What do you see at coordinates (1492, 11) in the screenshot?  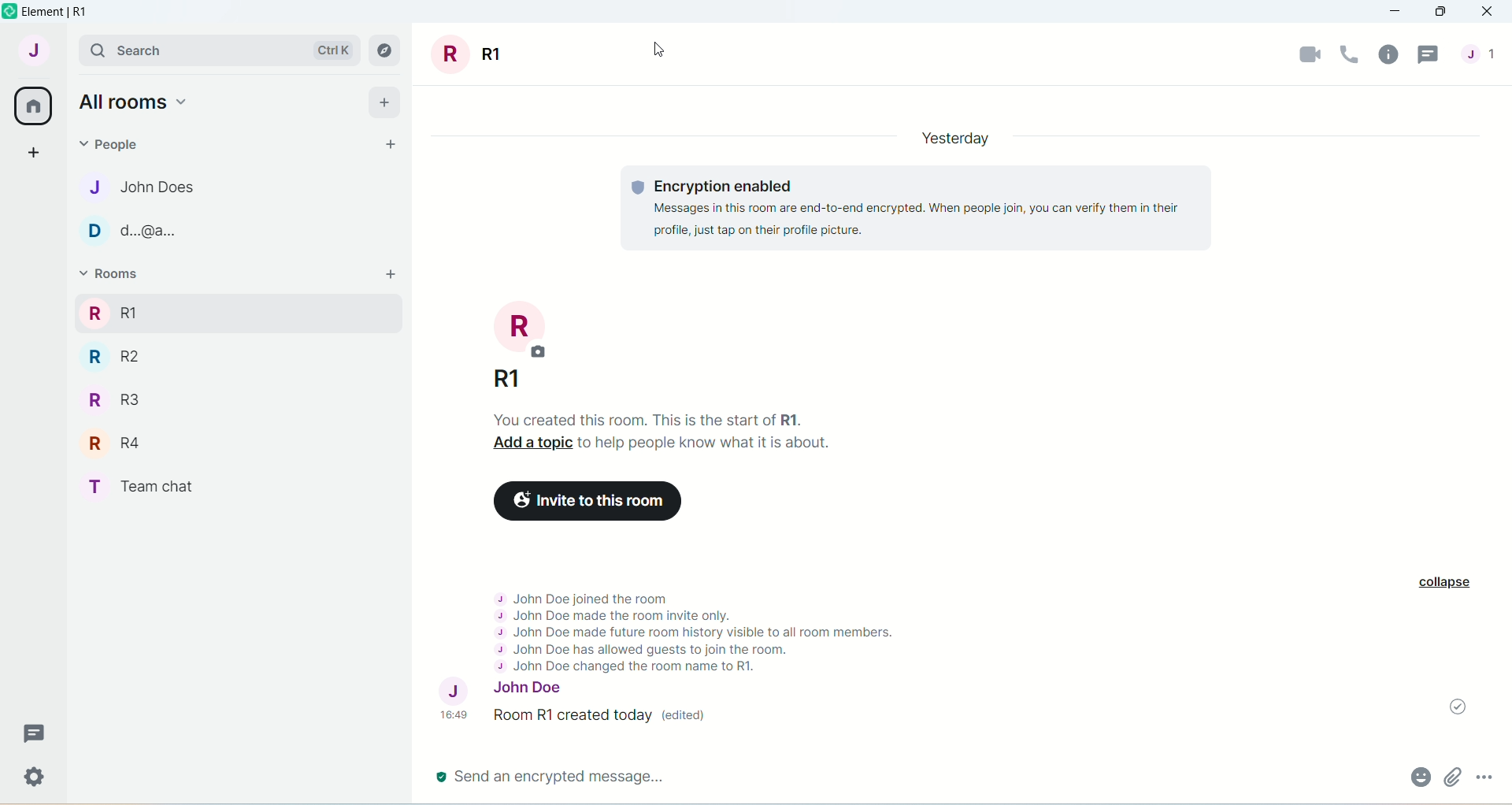 I see `close` at bounding box center [1492, 11].